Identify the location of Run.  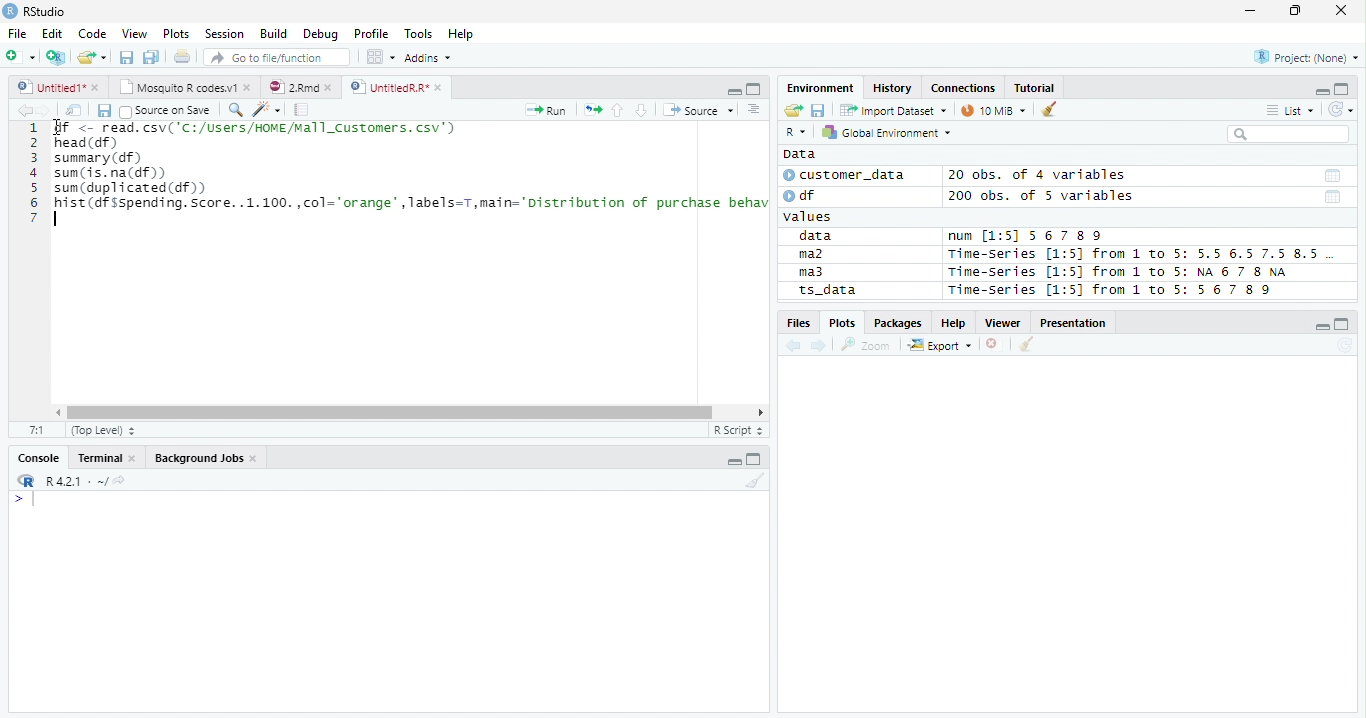
(548, 111).